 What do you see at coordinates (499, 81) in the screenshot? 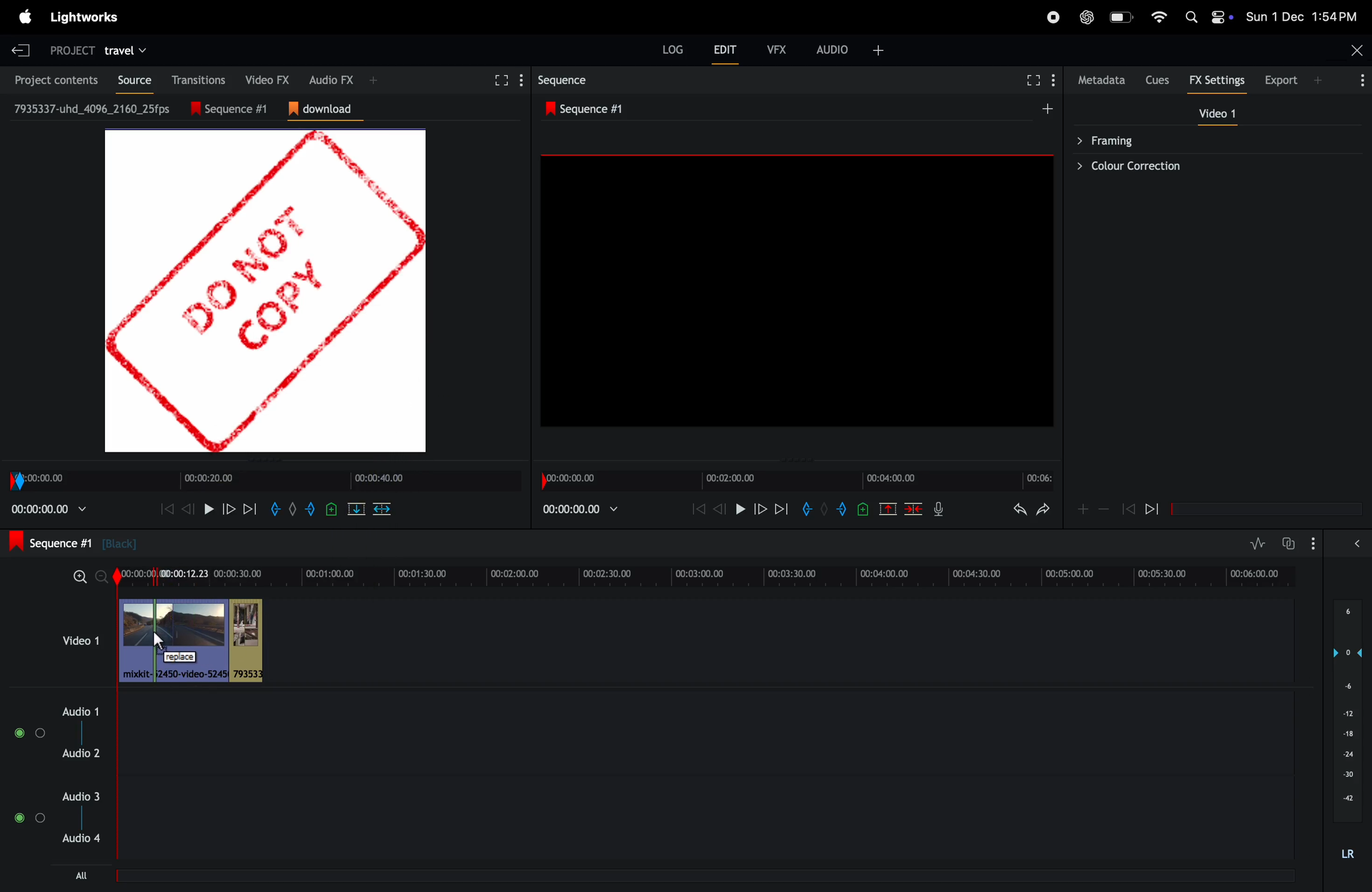
I see `full screen` at bounding box center [499, 81].